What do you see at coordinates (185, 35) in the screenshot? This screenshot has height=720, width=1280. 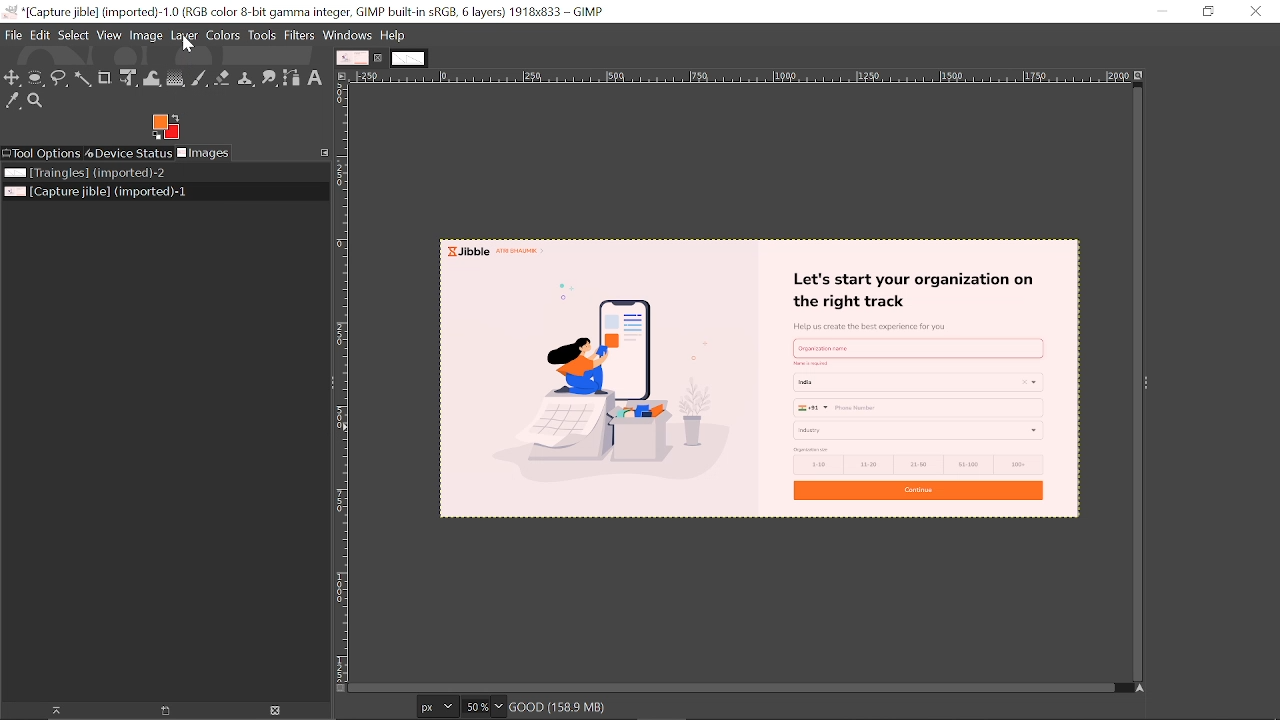 I see `Layer` at bounding box center [185, 35].